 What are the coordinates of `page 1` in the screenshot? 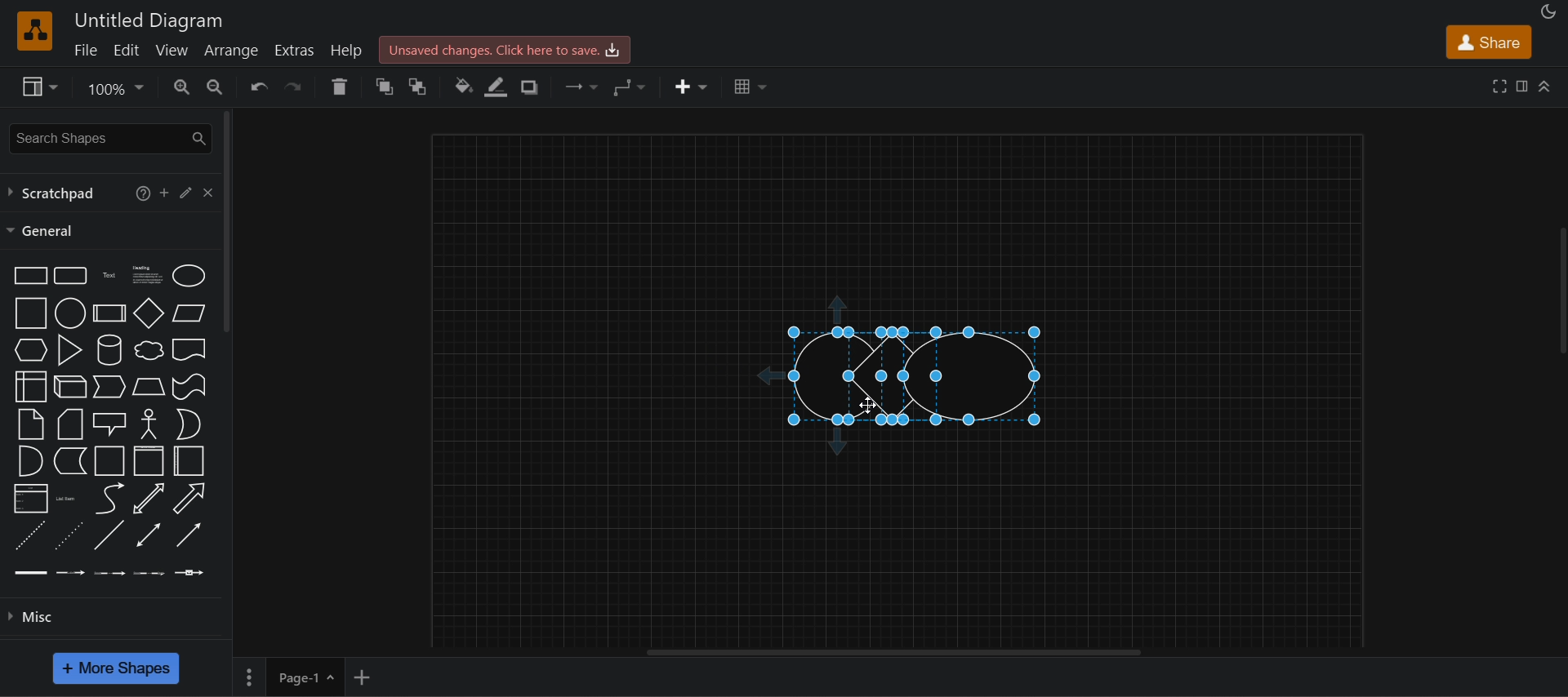 It's located at (305, 677).